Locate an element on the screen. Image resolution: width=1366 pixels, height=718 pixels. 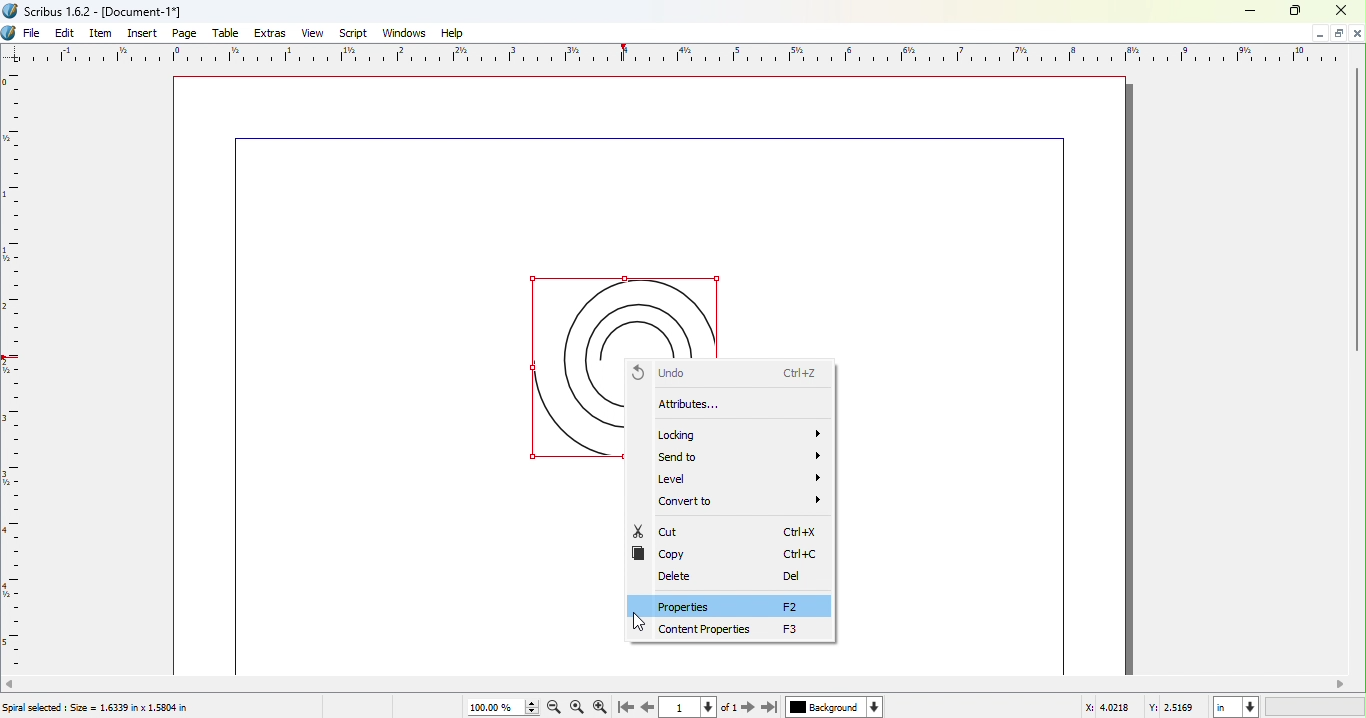
Close is located at coordinates (1342, 11).